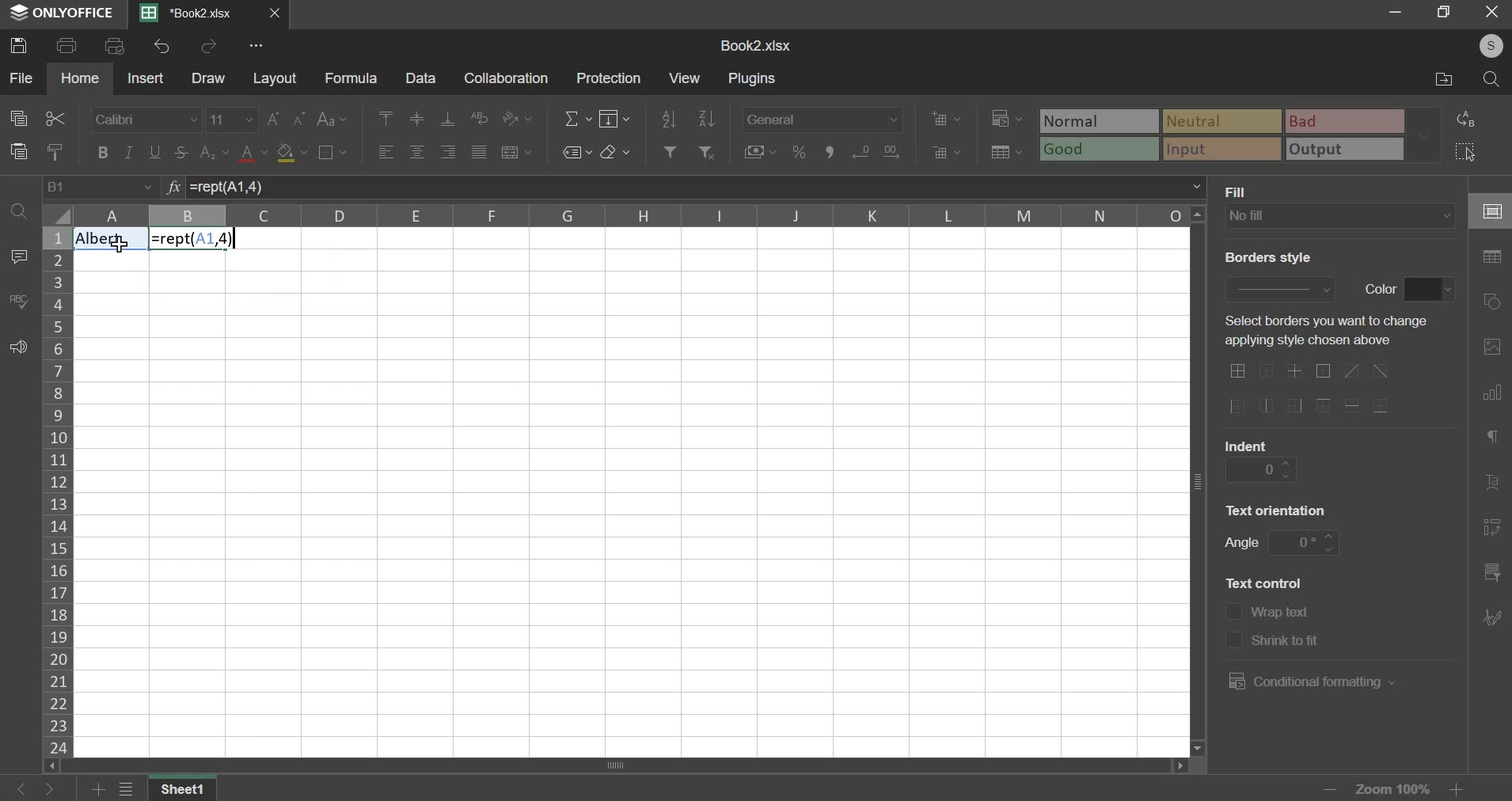 The width and height of the screenshot is (1512, 801). I want to click on spelling, so click(18, 300).